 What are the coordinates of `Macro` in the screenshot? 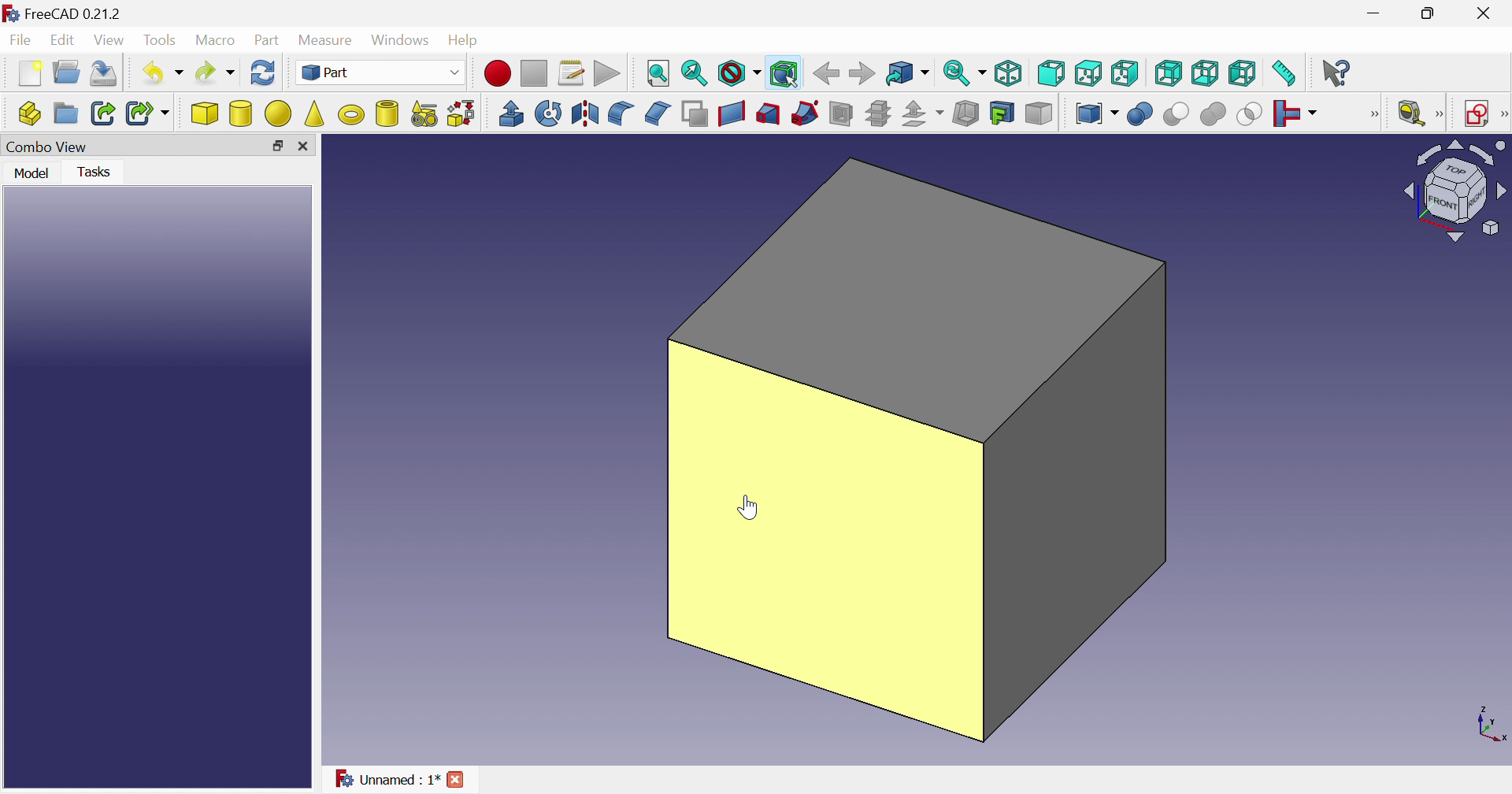 It's located at (218, 42).